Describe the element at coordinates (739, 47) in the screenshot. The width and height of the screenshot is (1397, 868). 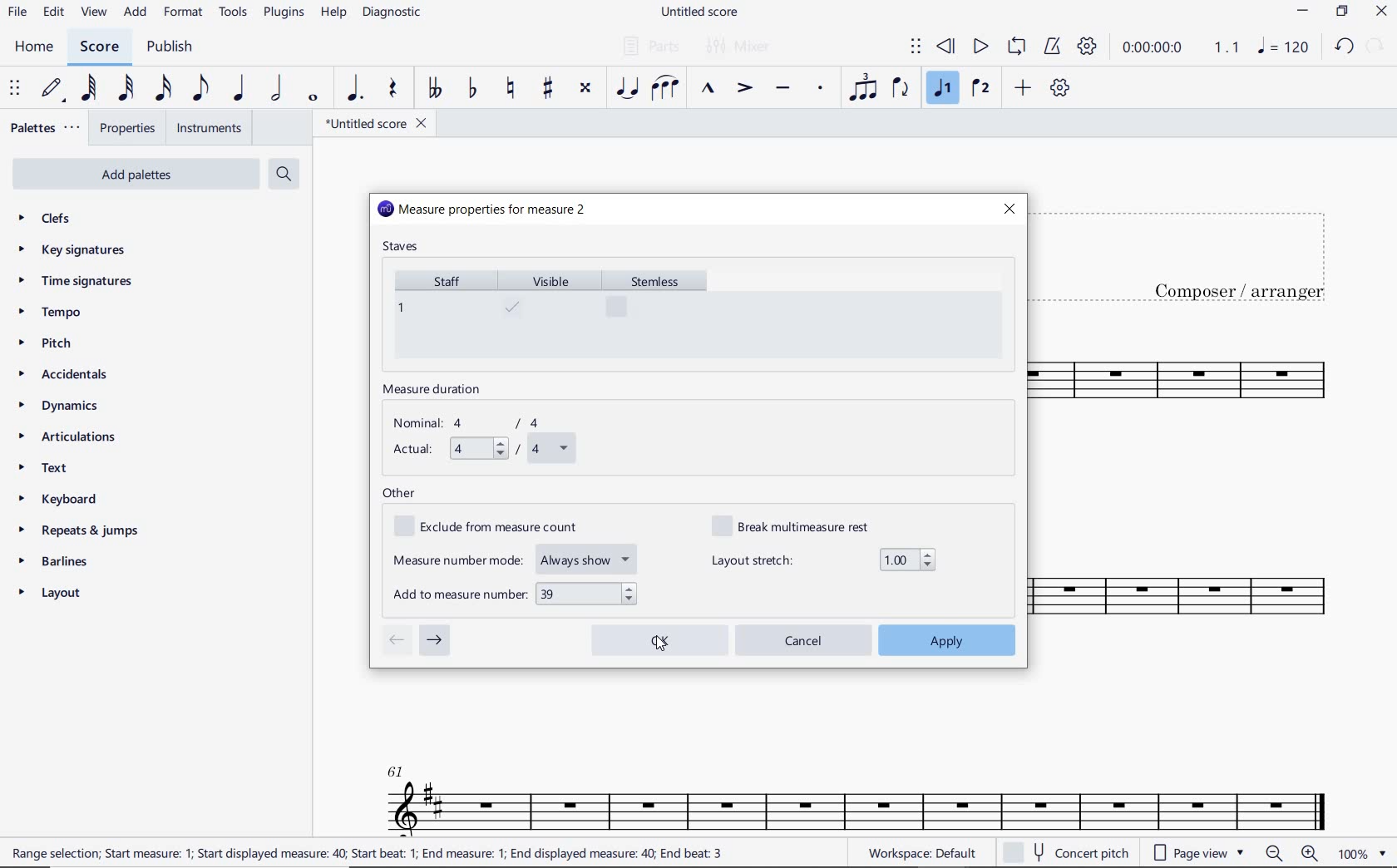
I see `MIXER` at that location.